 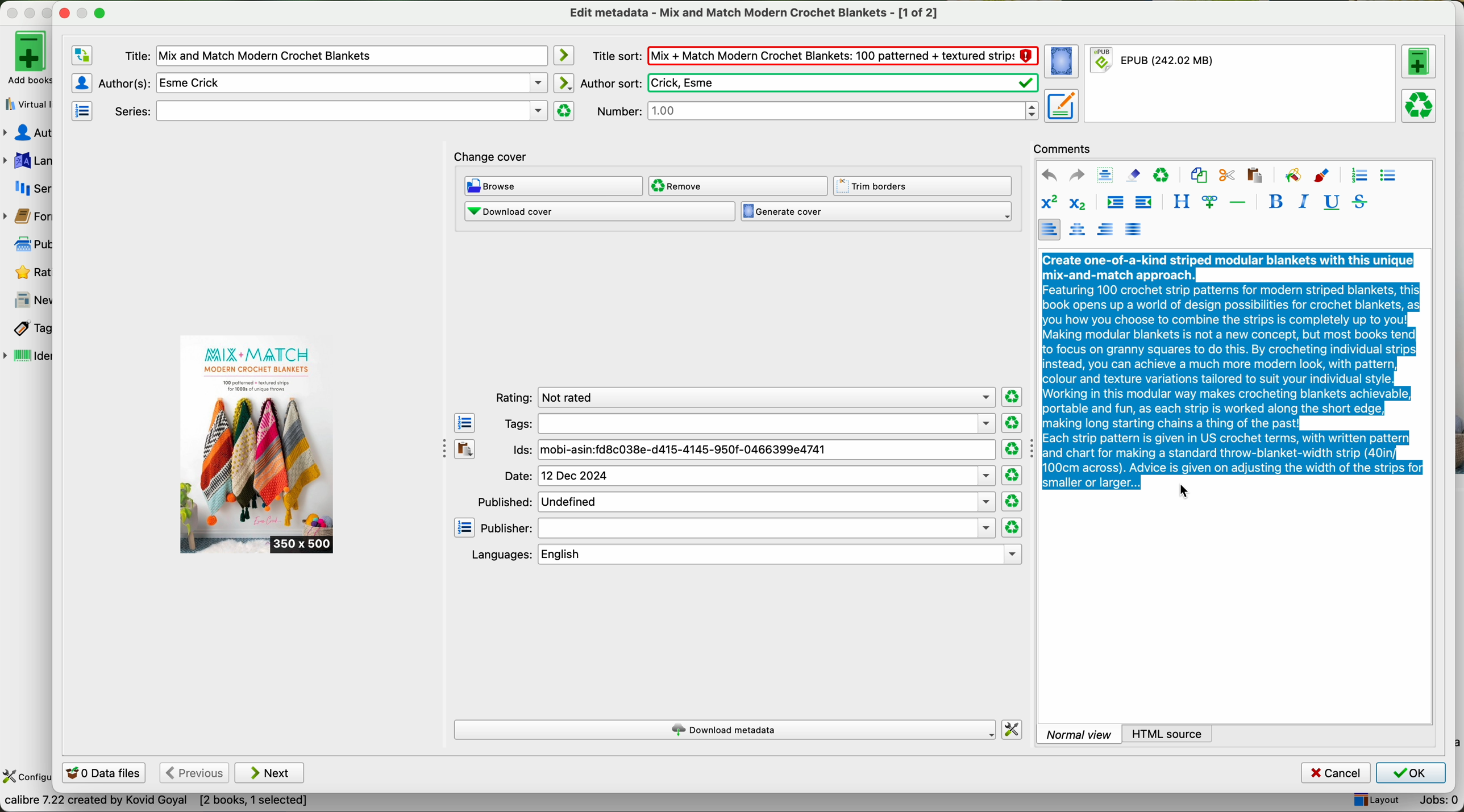 I want to click on subscript, so click(x=1075, y=202).